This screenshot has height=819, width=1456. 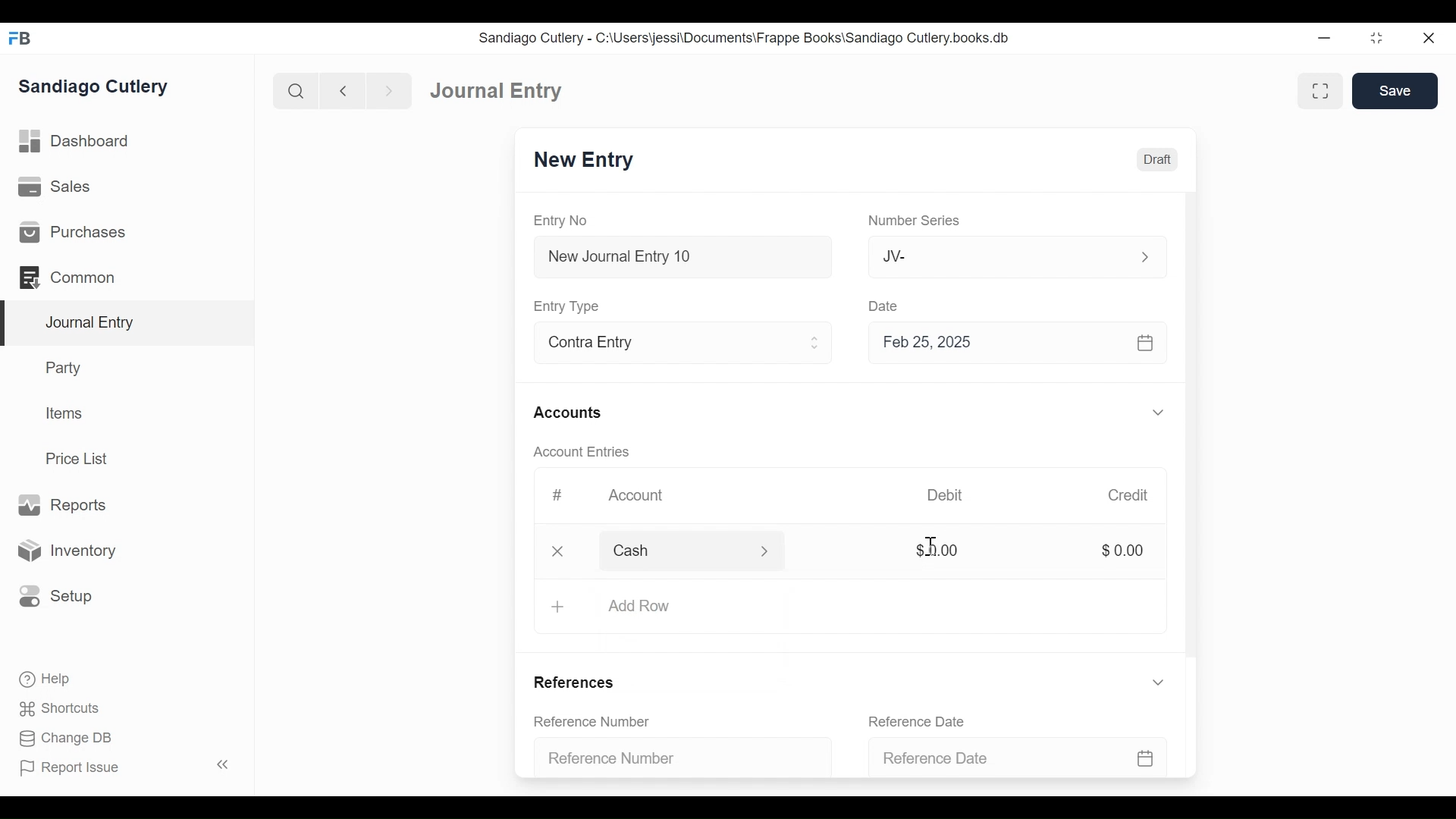 I want to click on Inventory, so click(x=71, y=550).